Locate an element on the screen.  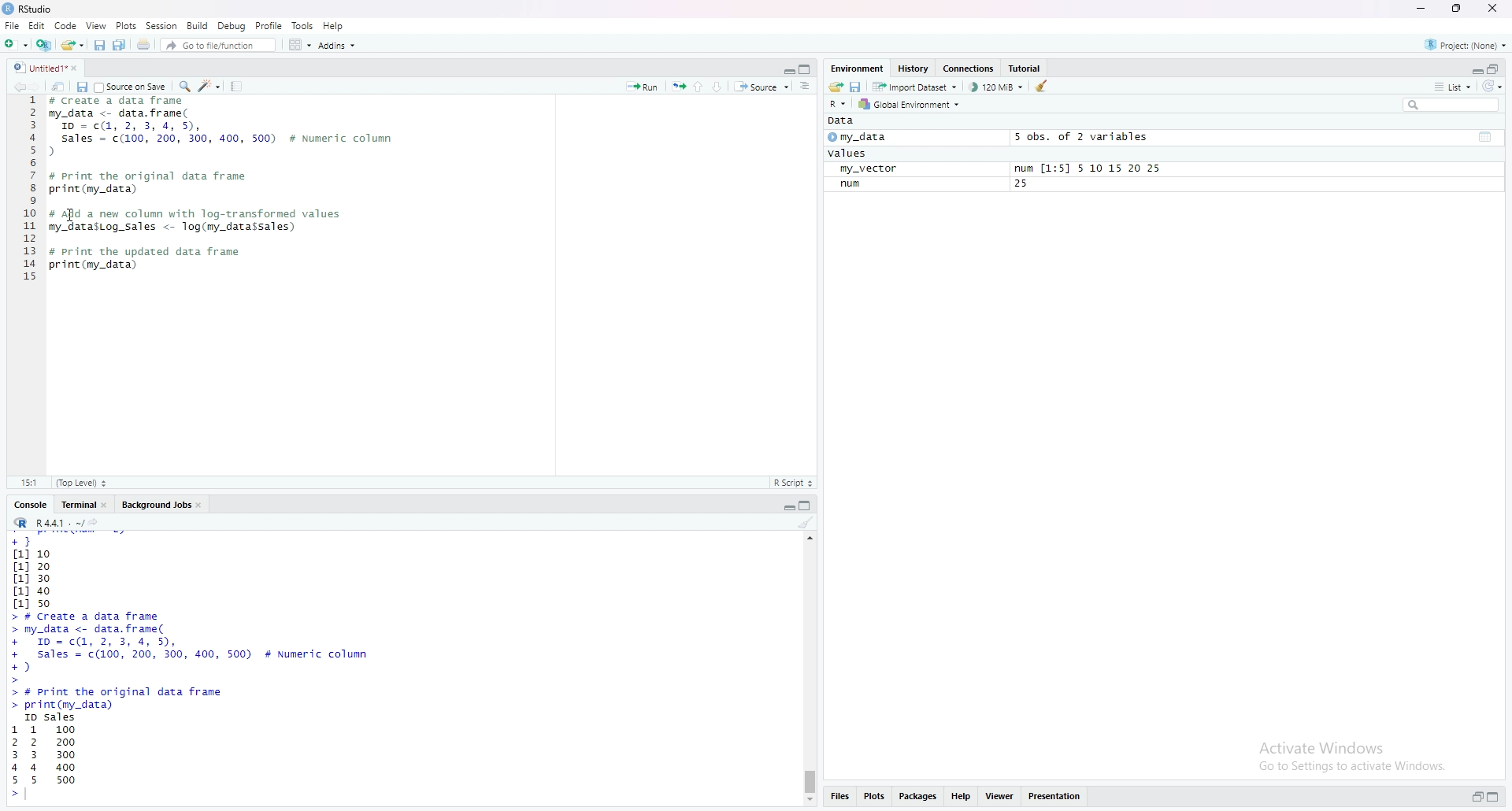
RStudio logo is located at coordinates (9, 9).